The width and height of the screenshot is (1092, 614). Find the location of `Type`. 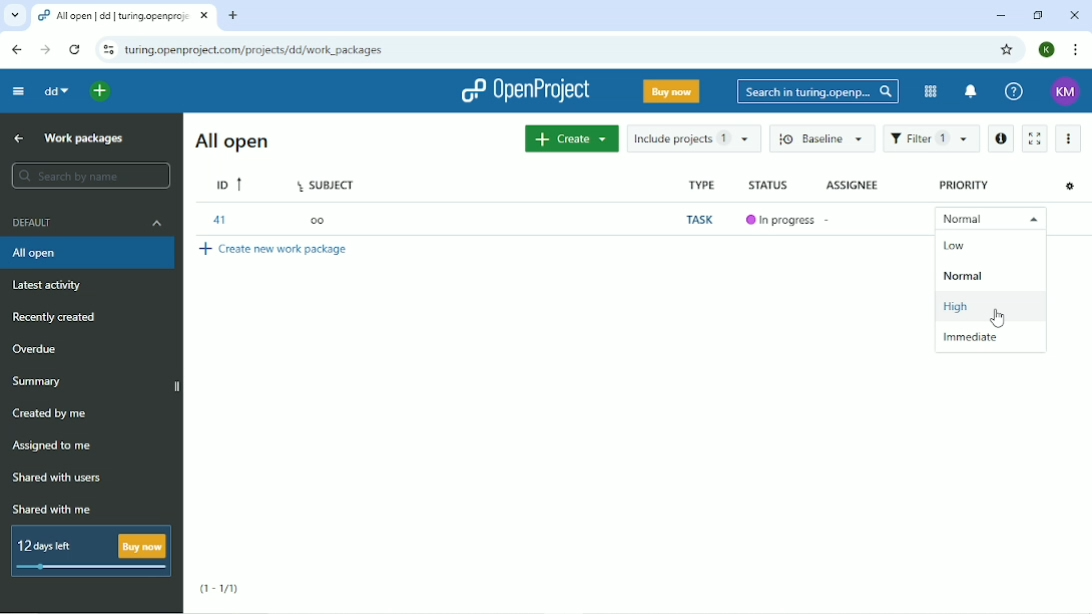

Type is located at coordinates (701, 184).